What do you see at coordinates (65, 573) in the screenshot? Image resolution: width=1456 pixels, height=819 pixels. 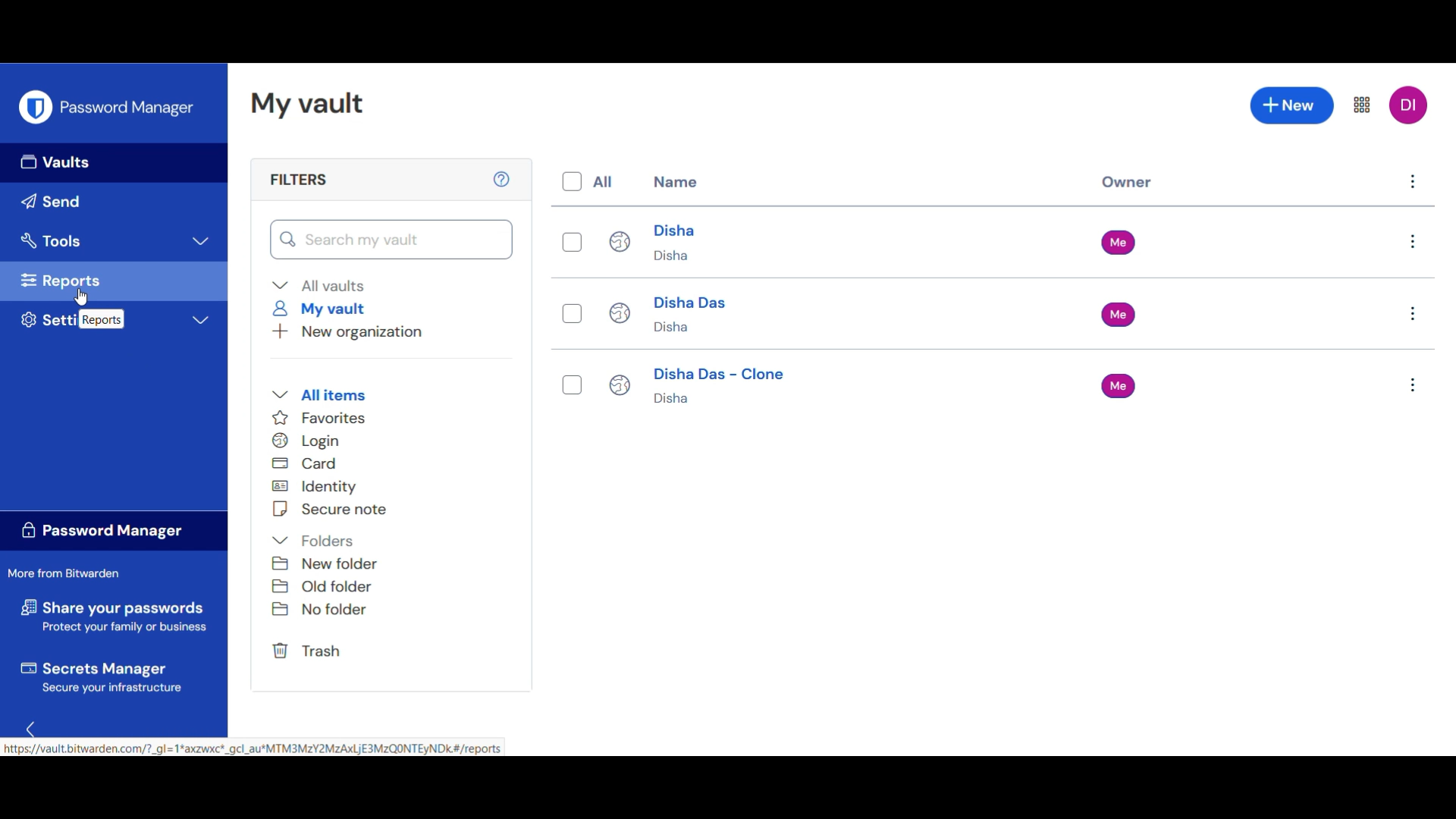 I see `Section title more from bitwarden` at bounding box center [65, 573].